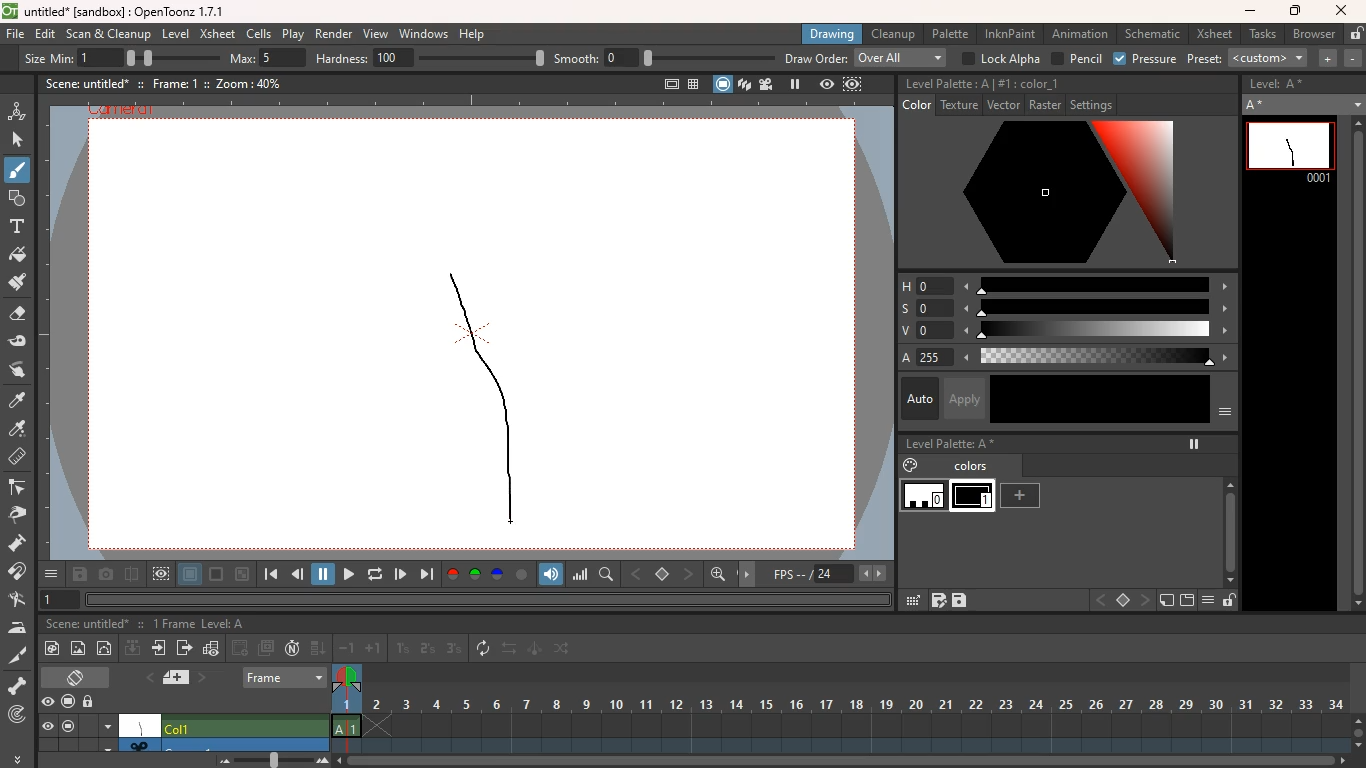 This screenshot has height=768, width=1366. What do you see at coordinates (19, 369) in the screenshot?
I see `swap` at bounding box center [19, 369].